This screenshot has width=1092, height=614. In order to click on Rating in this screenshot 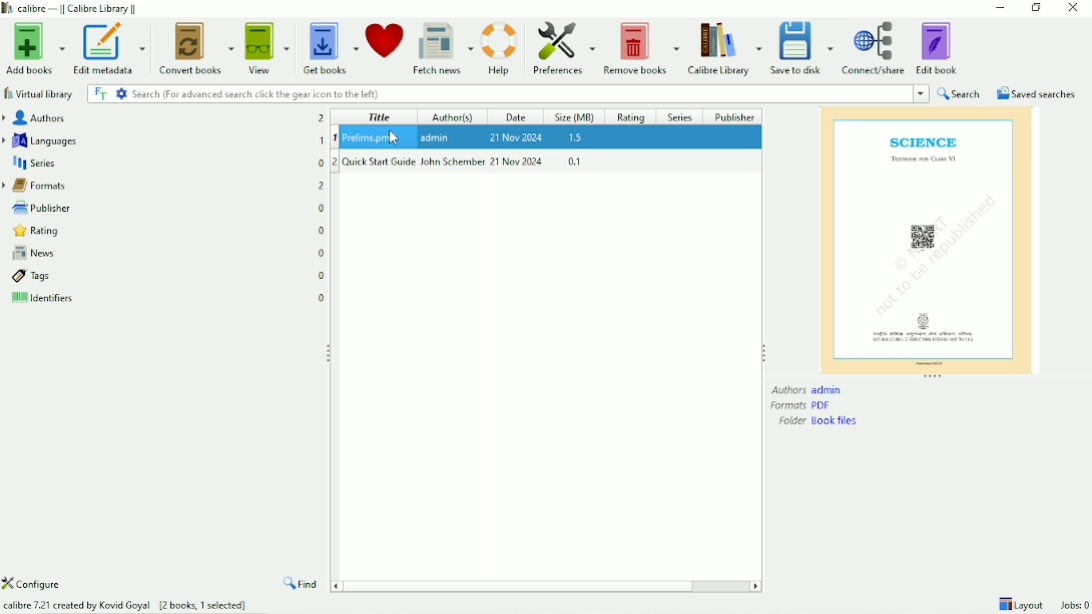, I will do `click(634, 116)`.